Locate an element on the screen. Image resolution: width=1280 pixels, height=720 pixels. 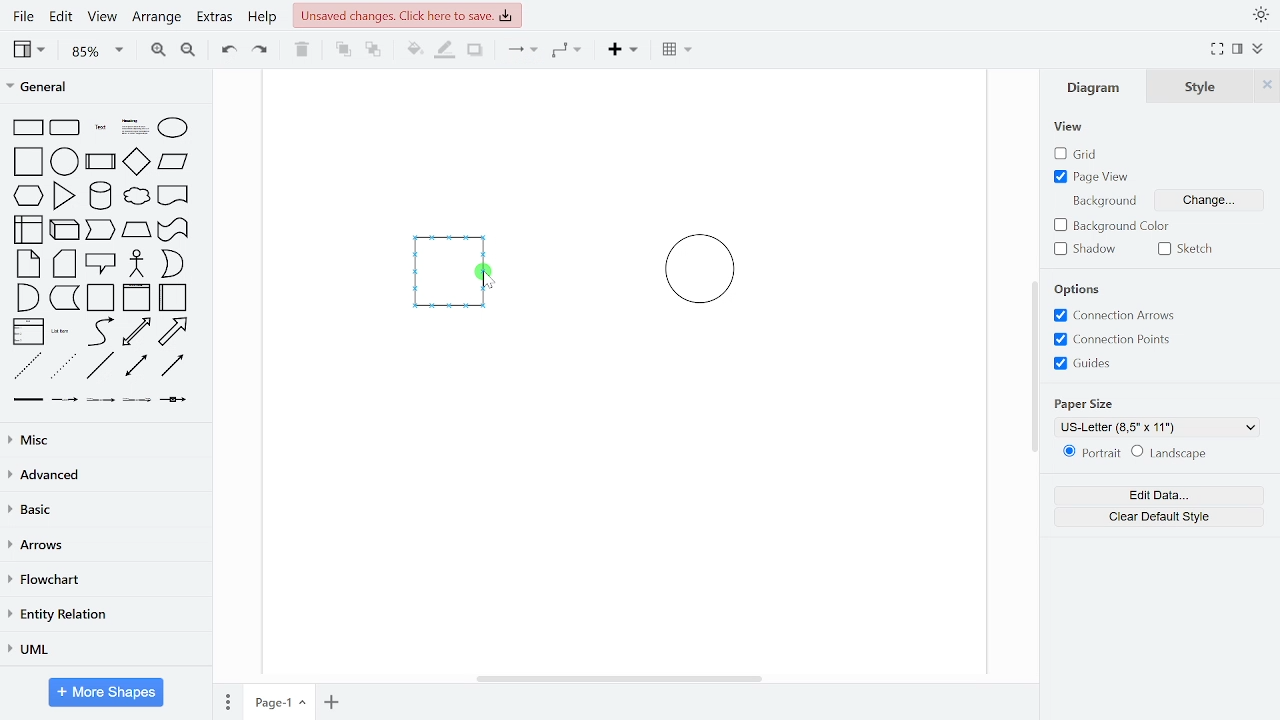
fill color is located at coordinates (415, 50).